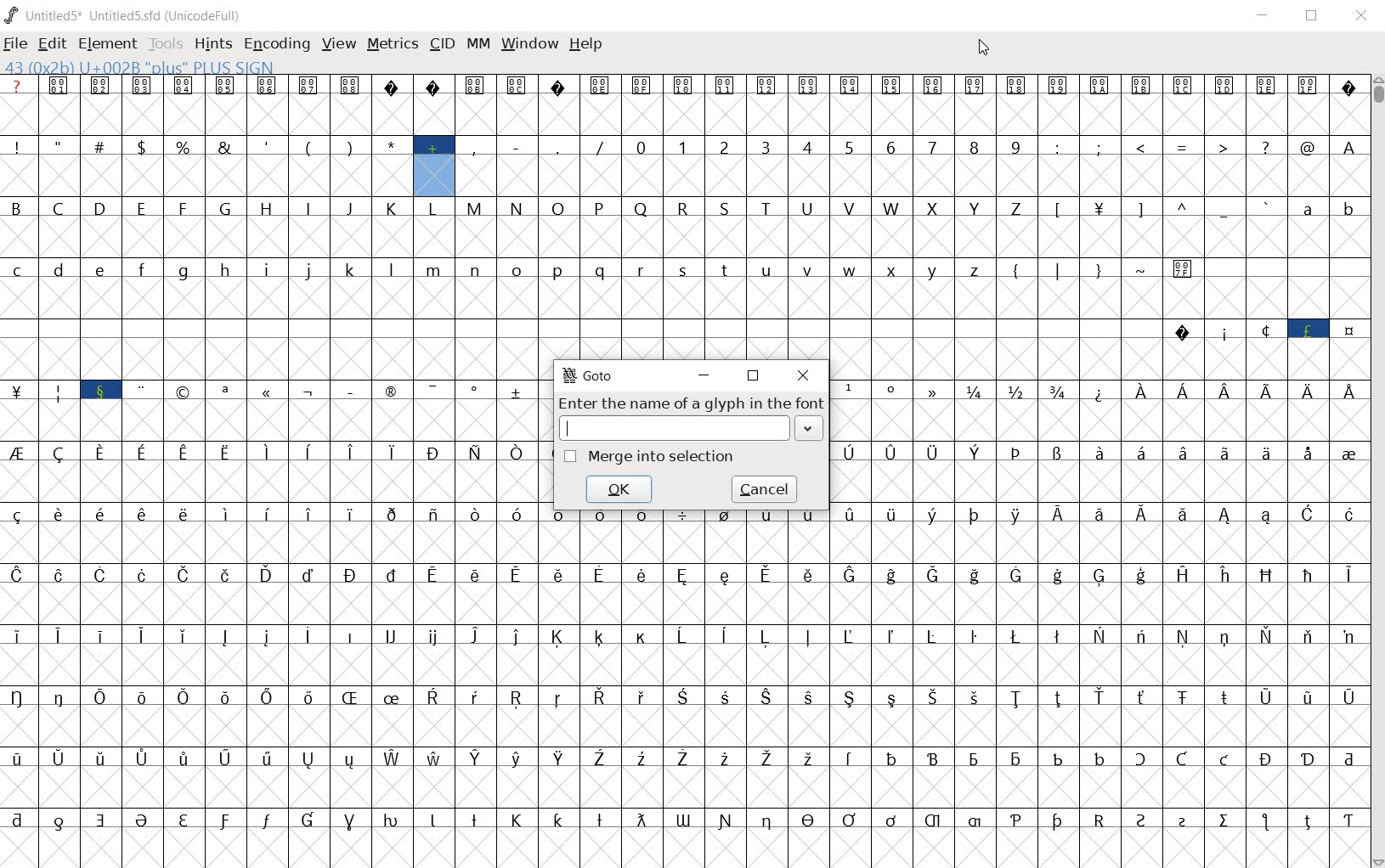 Image resolution: width=1385 pixels, height=868 pixels. Describe the element at coordinates (1100, 471) in the screenshot. I see `characters` at that location.